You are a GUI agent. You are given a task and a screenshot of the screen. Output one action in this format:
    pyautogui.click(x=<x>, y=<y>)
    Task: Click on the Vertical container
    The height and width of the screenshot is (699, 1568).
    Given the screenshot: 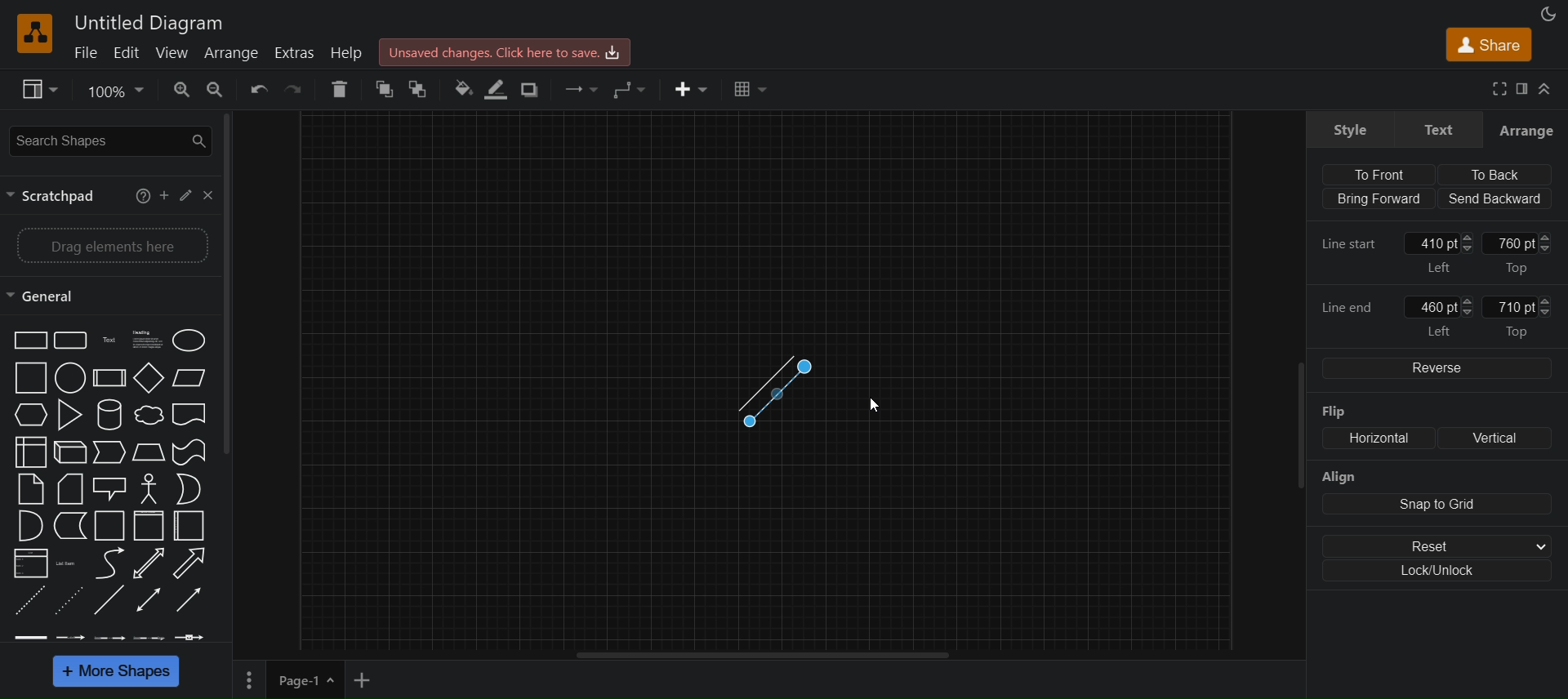 What is the action you would take?
    pyautogui.click(x=148, y=525)
    